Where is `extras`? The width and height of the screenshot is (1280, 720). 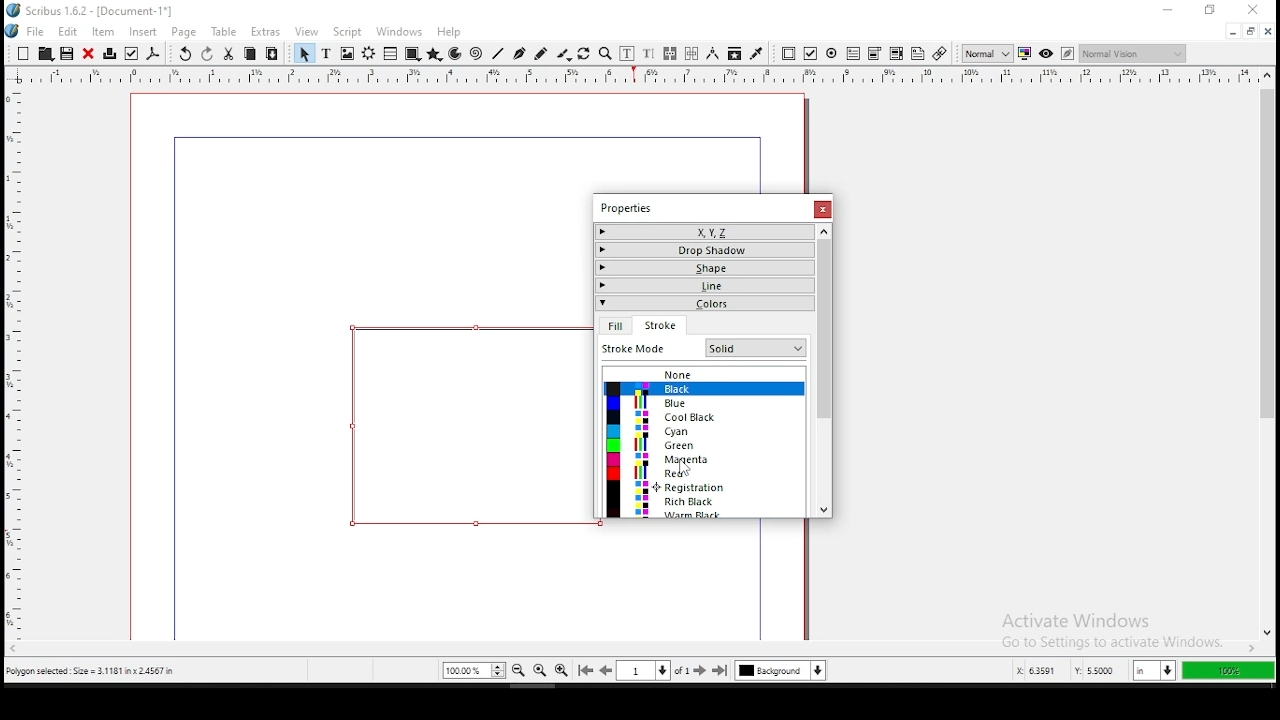
extras is located at coordinates (265, 32).